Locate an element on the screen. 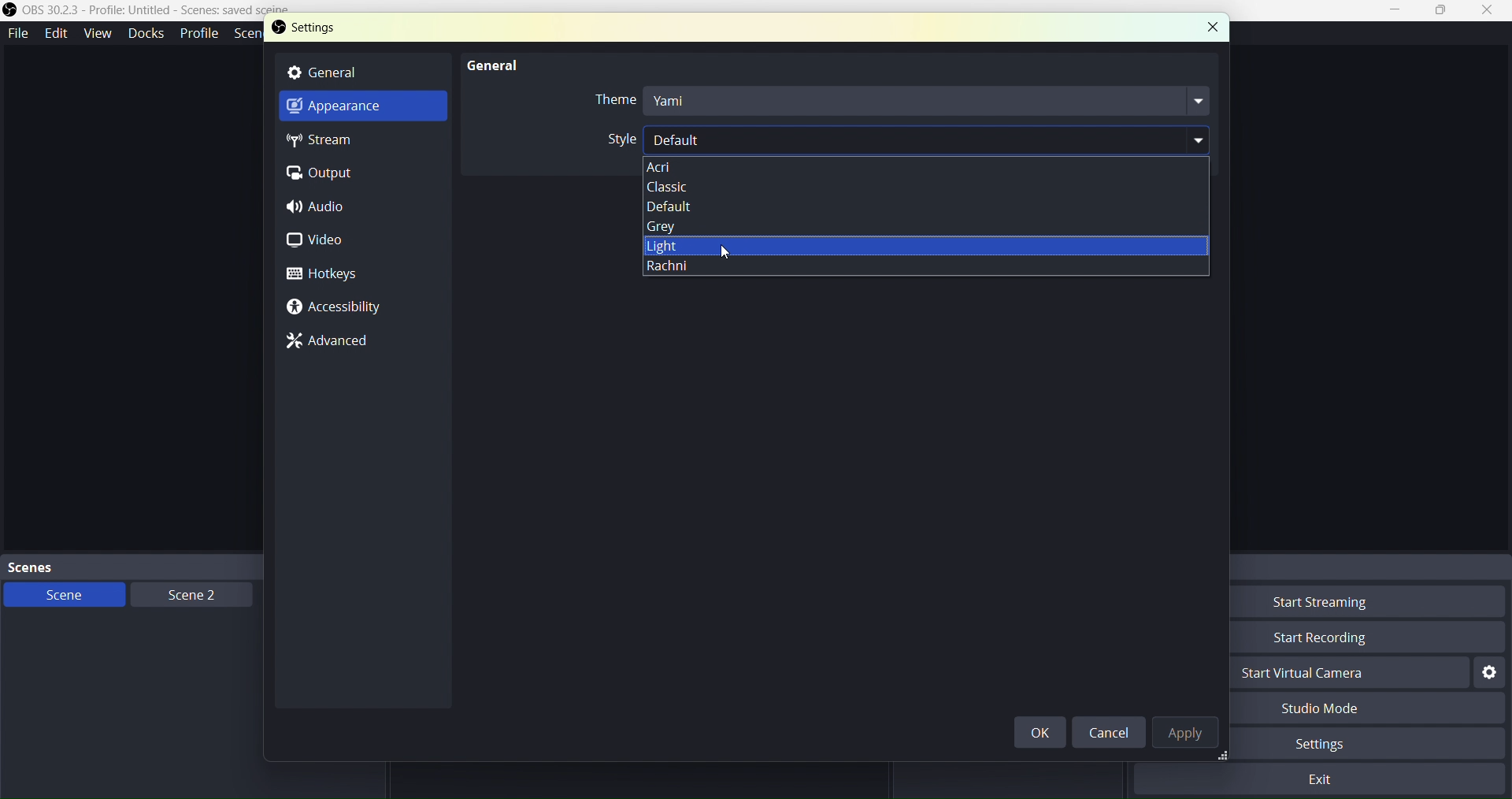 This screenshot has height=799, width=1512. SceneCollection is located at coordinates (250, 35).